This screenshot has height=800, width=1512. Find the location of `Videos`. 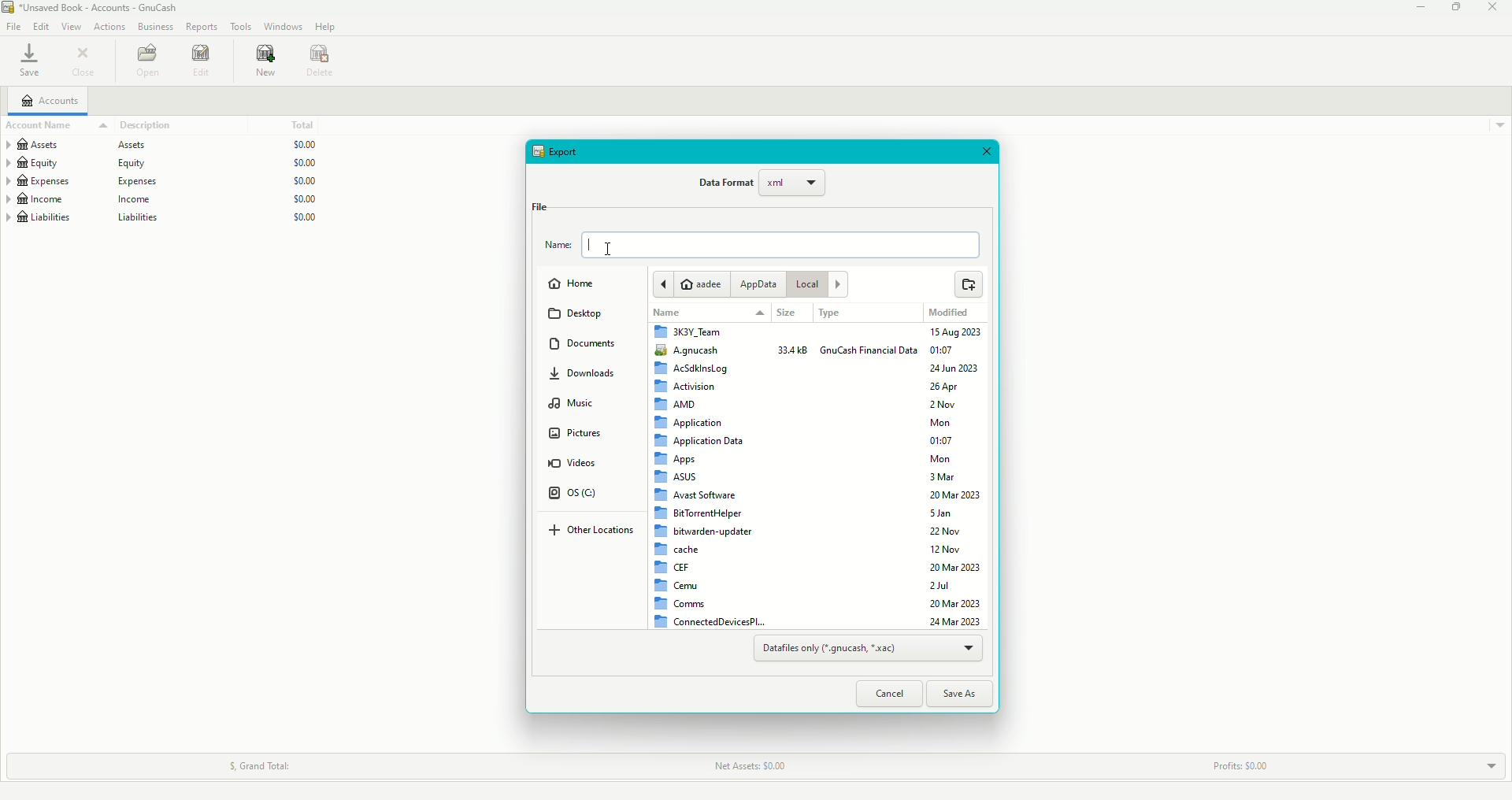

Videos is located at coordinates (573, 465).